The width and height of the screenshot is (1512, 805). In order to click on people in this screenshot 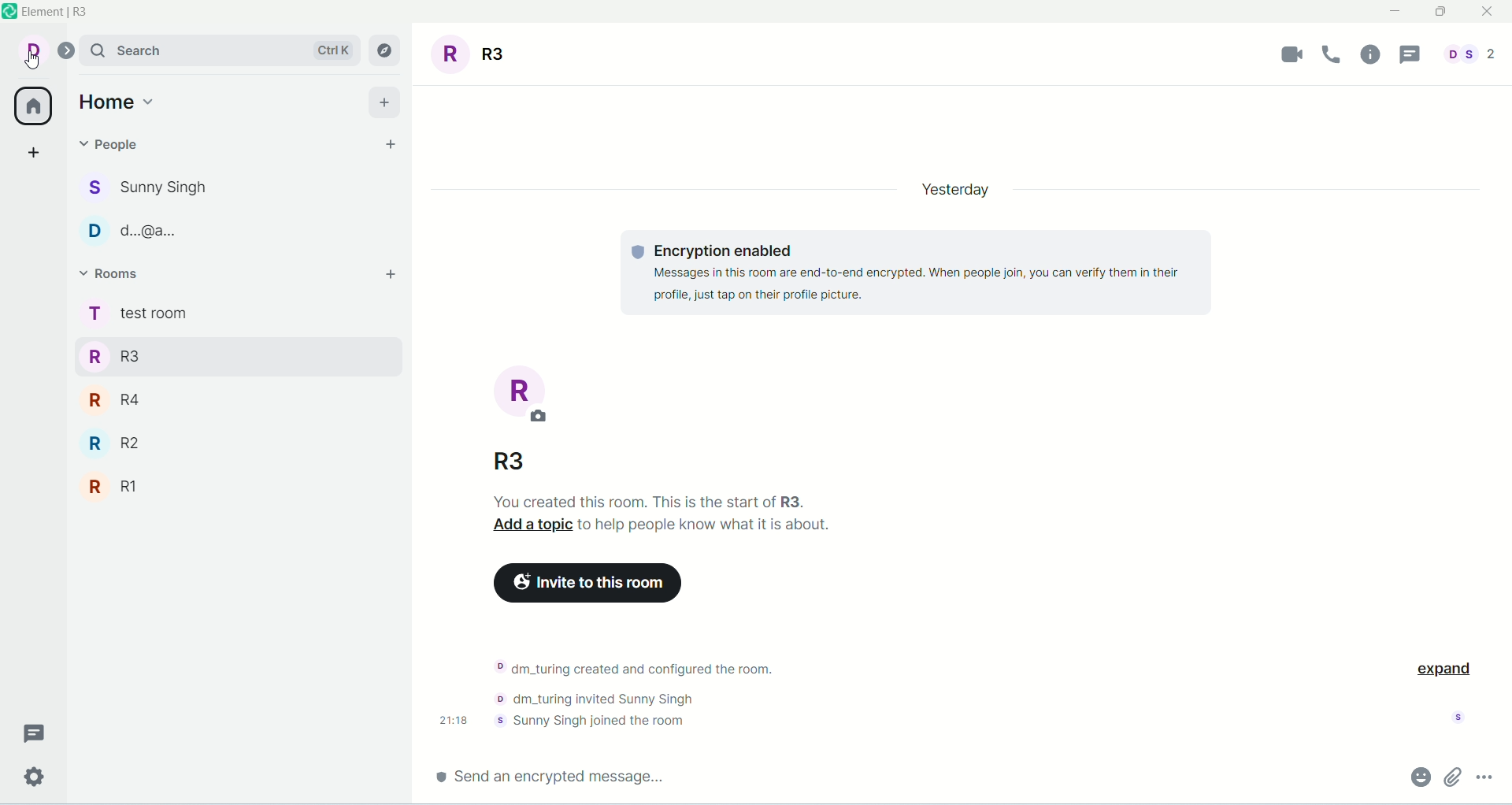, I will do `click(112, 143)`.